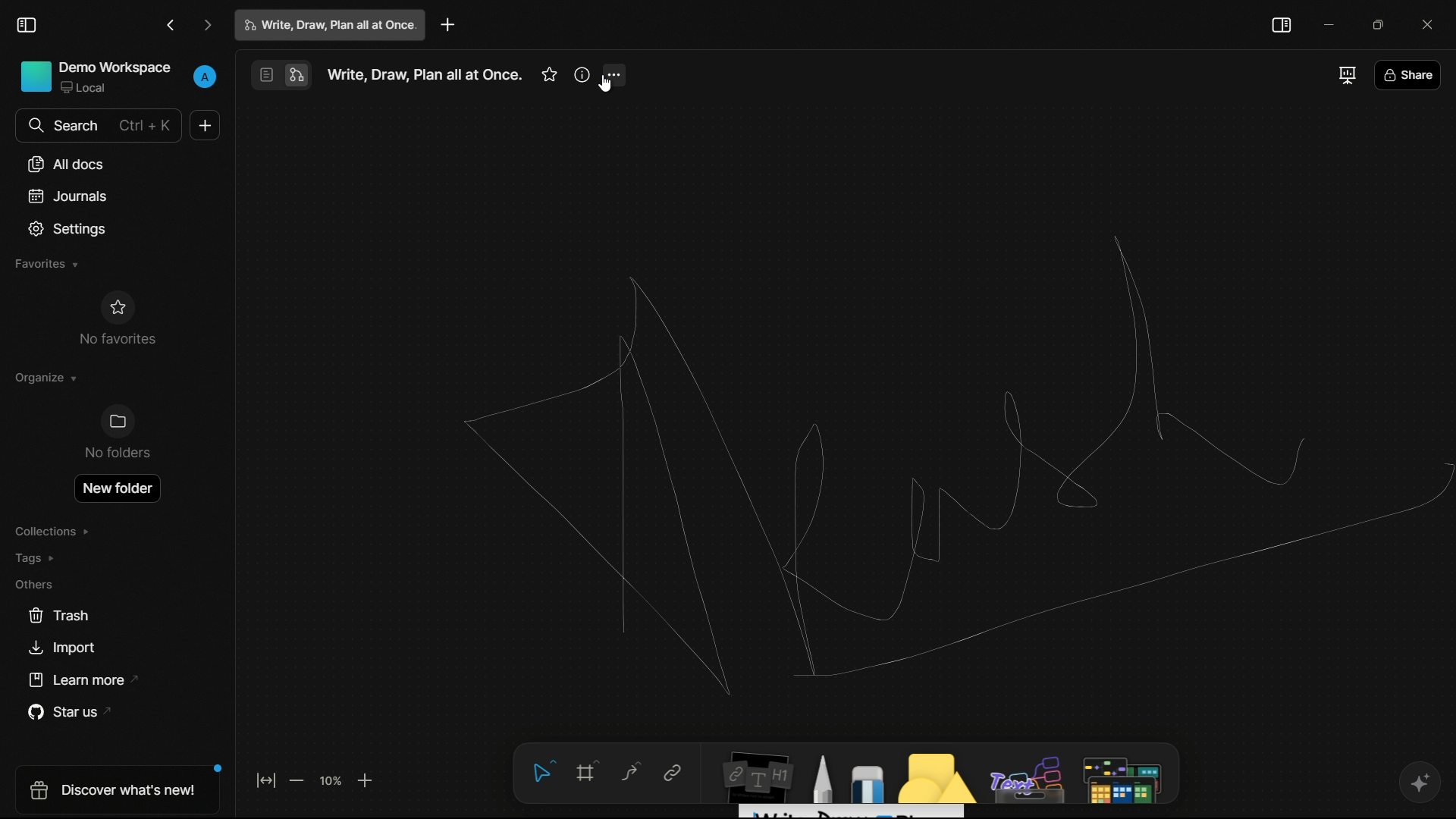 Image resolution: width=1456 pixels, height=819 pixels. I want to click on journals, so click(66, 197).